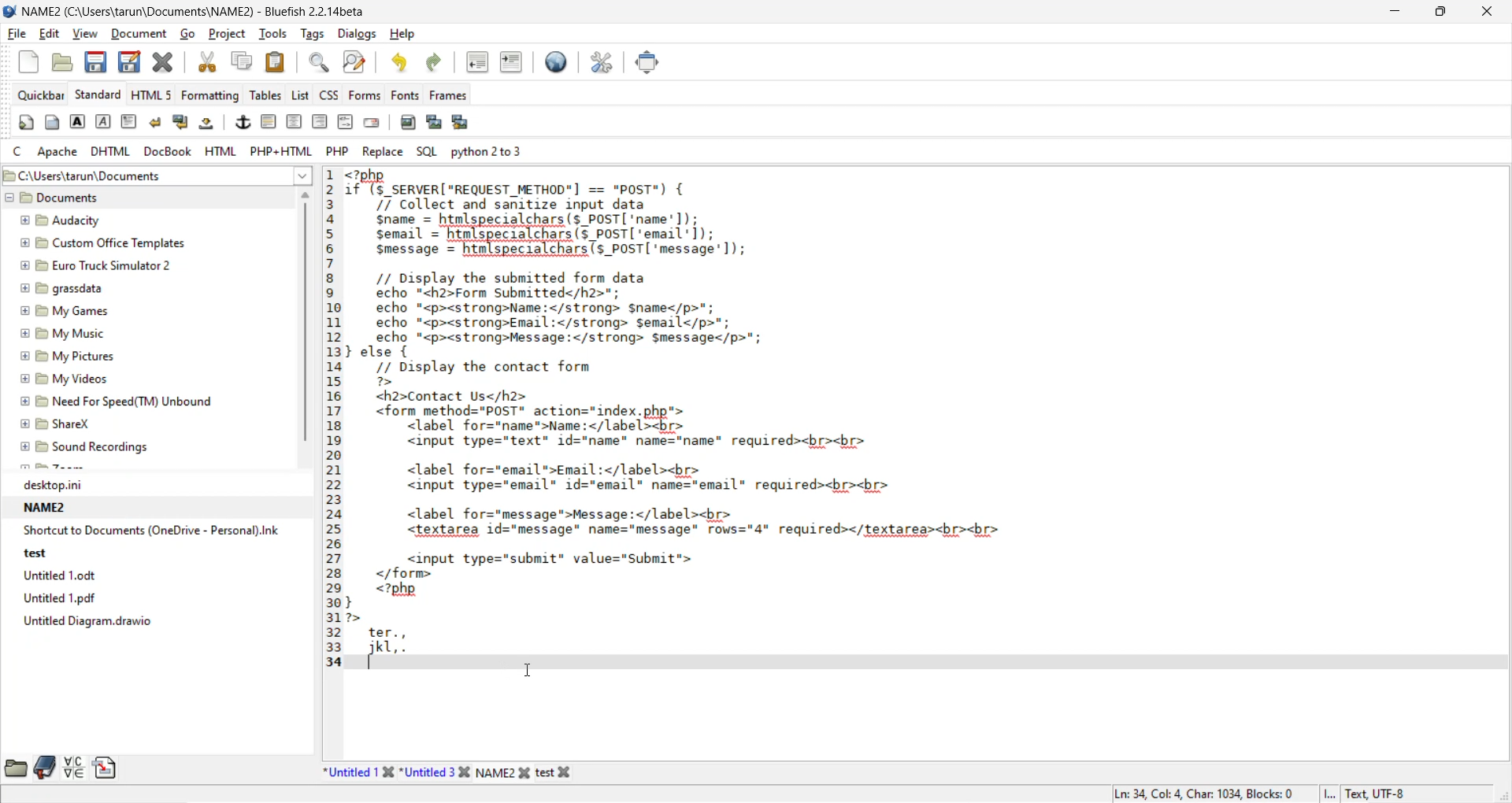  Describe the element at coordinates (191, 35) in the screenshot. I see `go` at that location.